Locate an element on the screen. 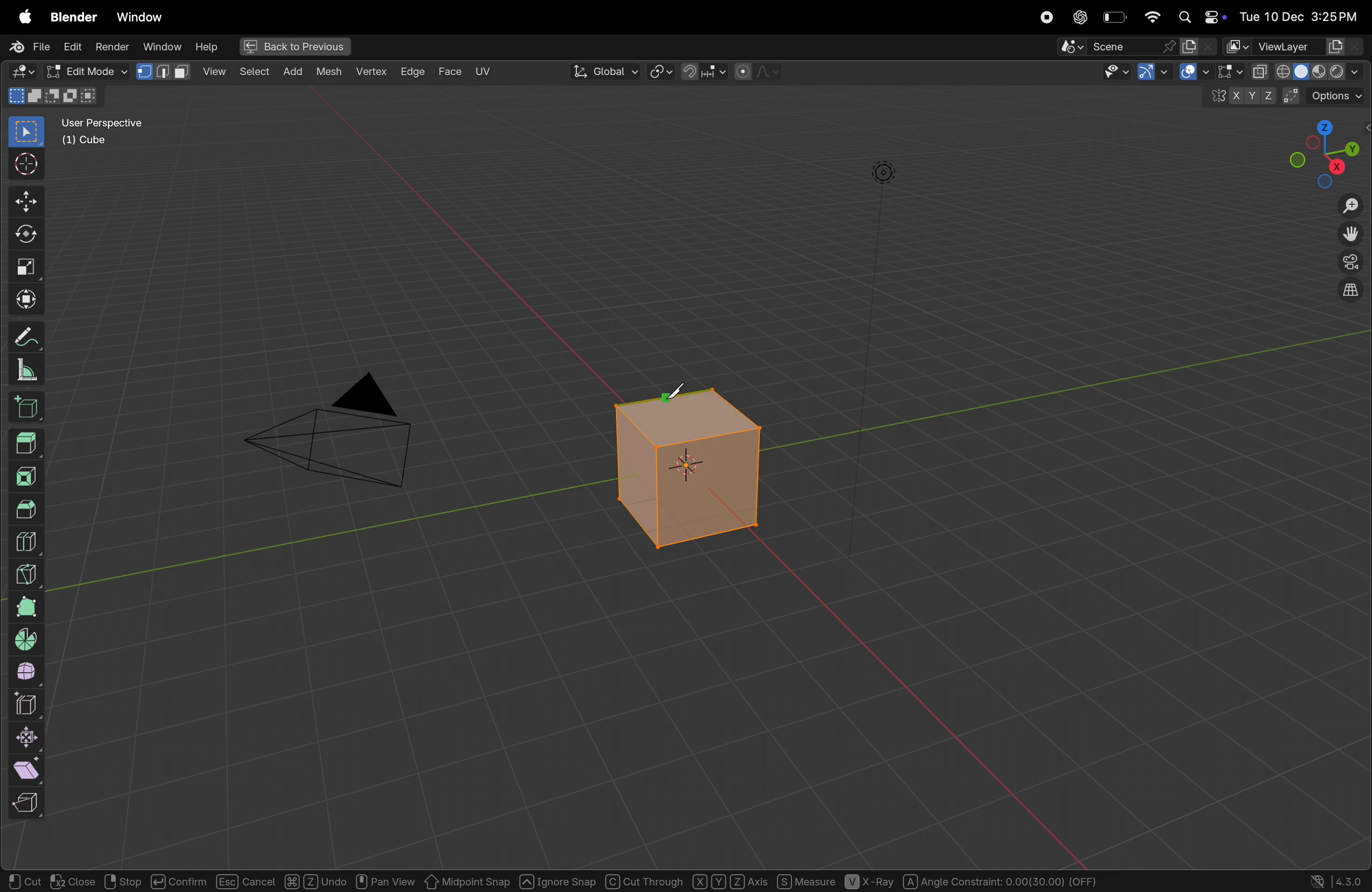  Show system preferences  "Network" panel to allow online access is located at coordinates (1318, 881).